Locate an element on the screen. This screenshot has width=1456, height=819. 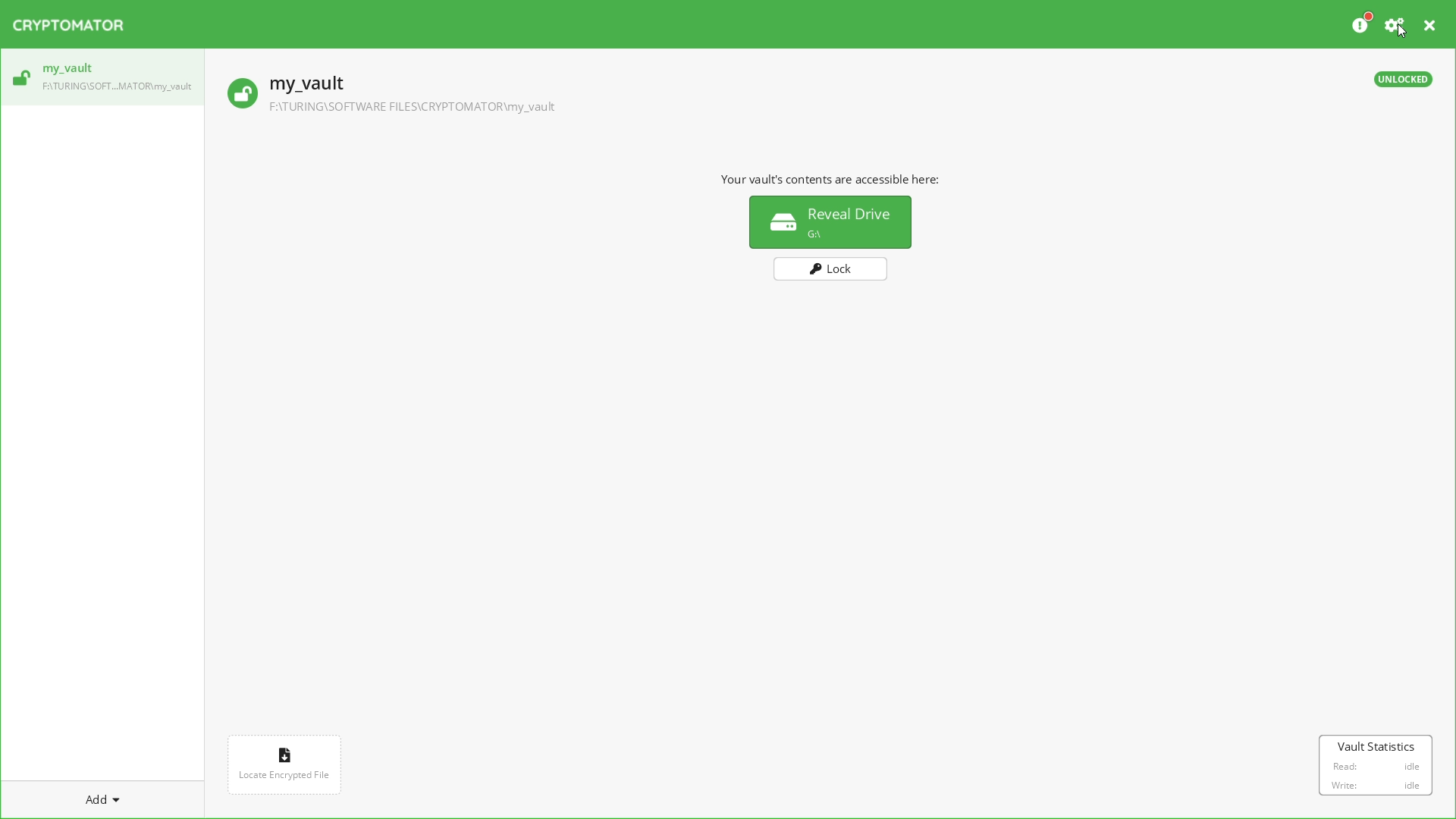
Add Drop Down is located at coordinates (121, 800).